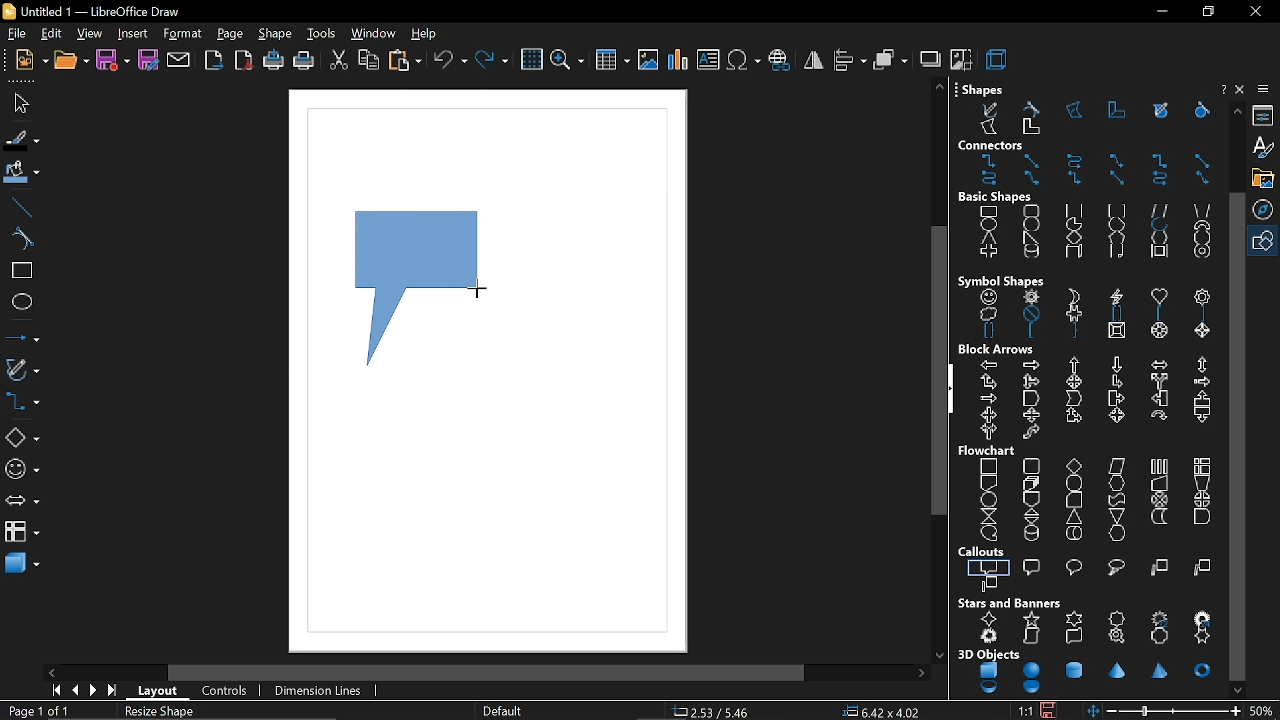 Image resolution: width=1280 pixels, height=720 pixels. Describe the element at coordinates (53, 692) in the screenshot. I see `go to first page` at that location.